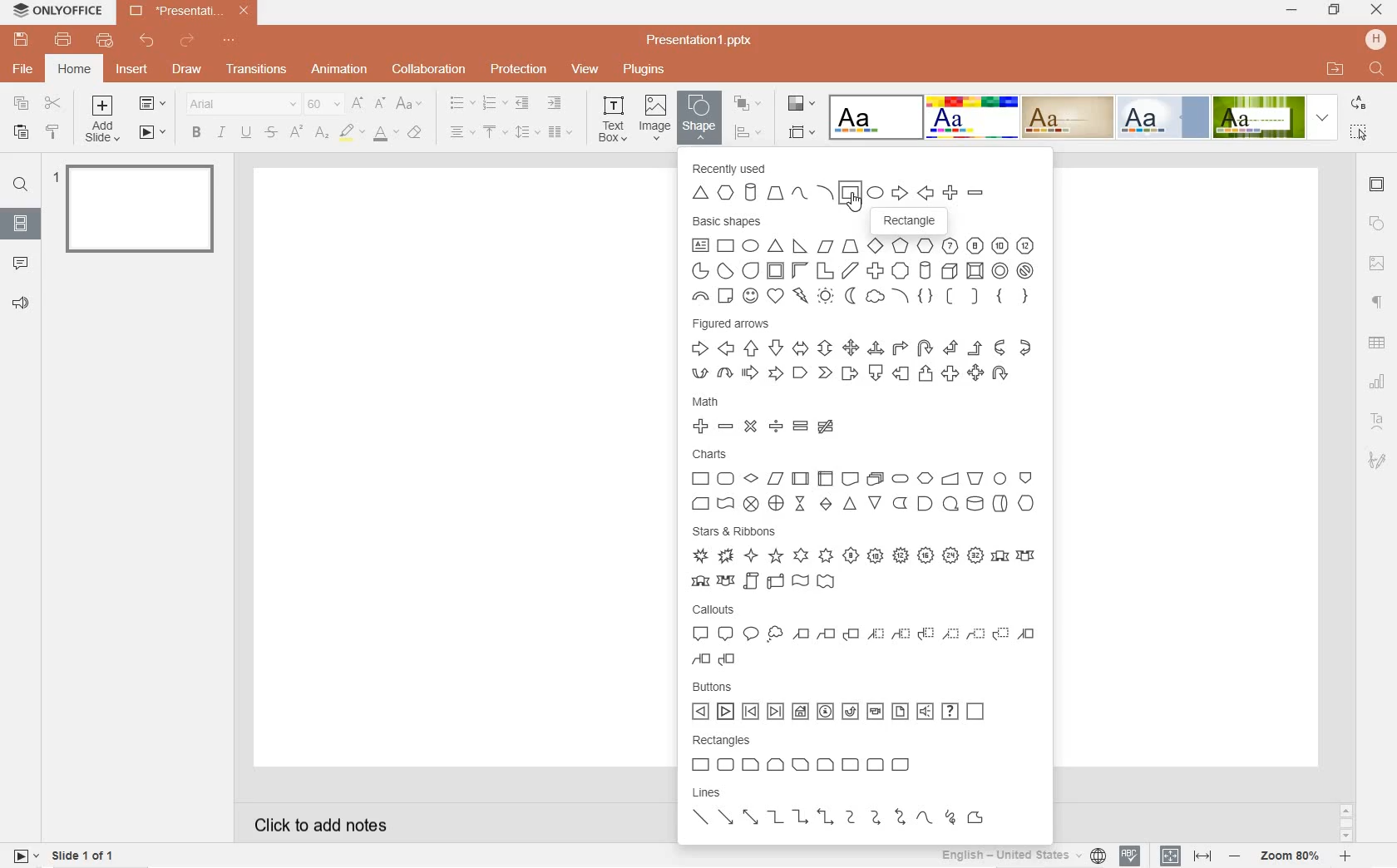  I want to click on Line Callout 1 (No border), so click(950, 635).